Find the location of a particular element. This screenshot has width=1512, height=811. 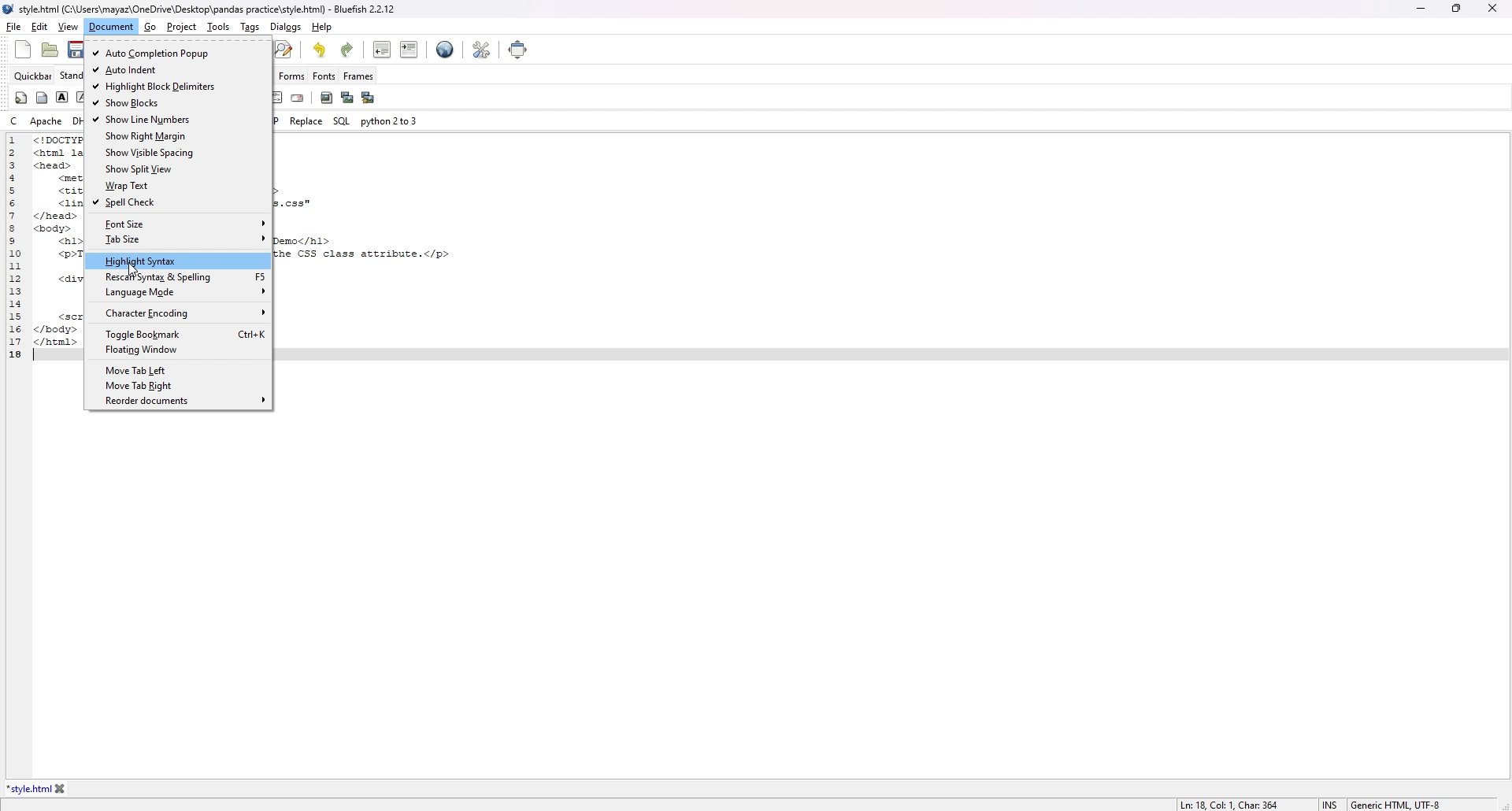

forms is located at coordinates (292, 75).